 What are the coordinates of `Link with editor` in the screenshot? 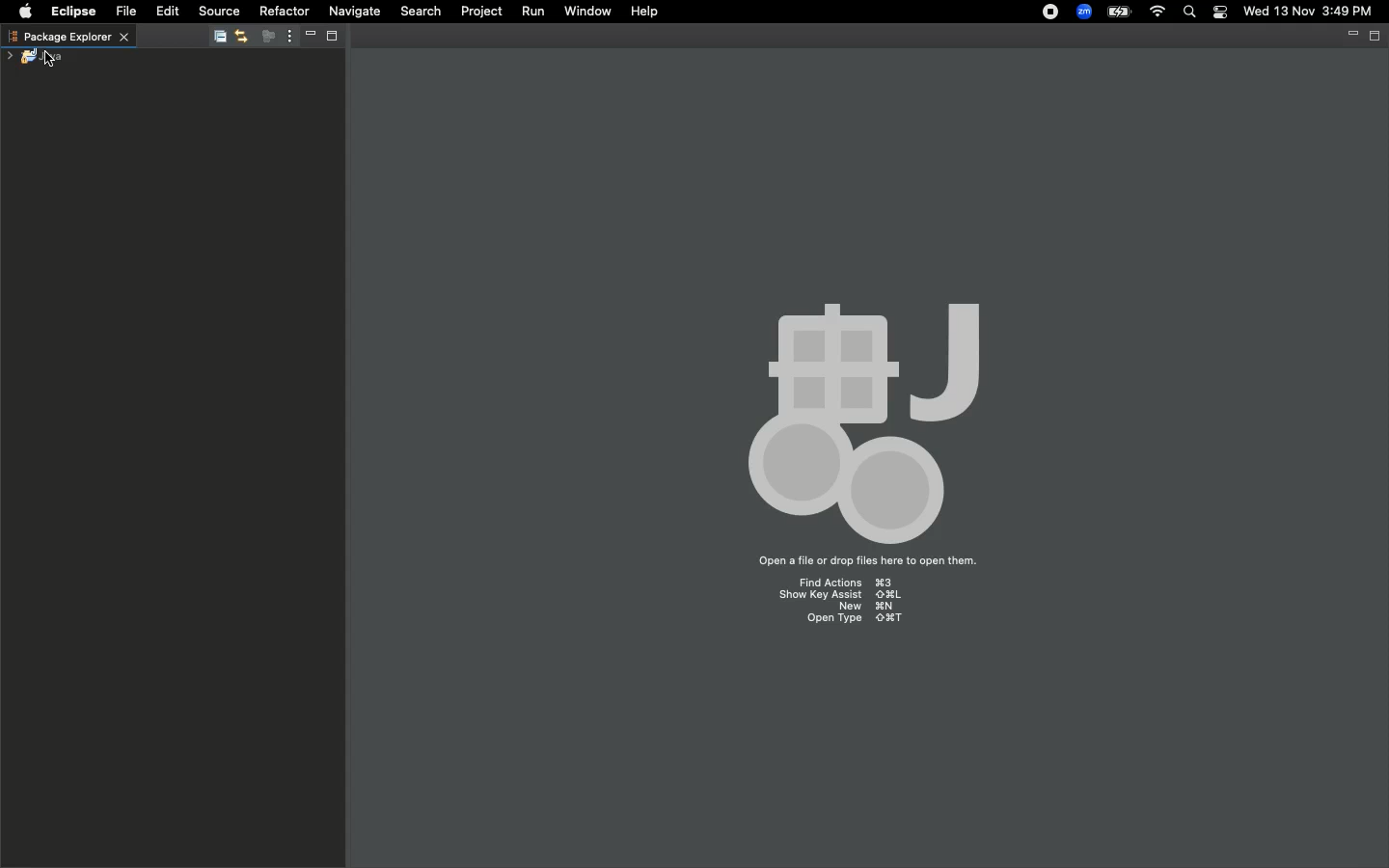 It's located at (242, 36).